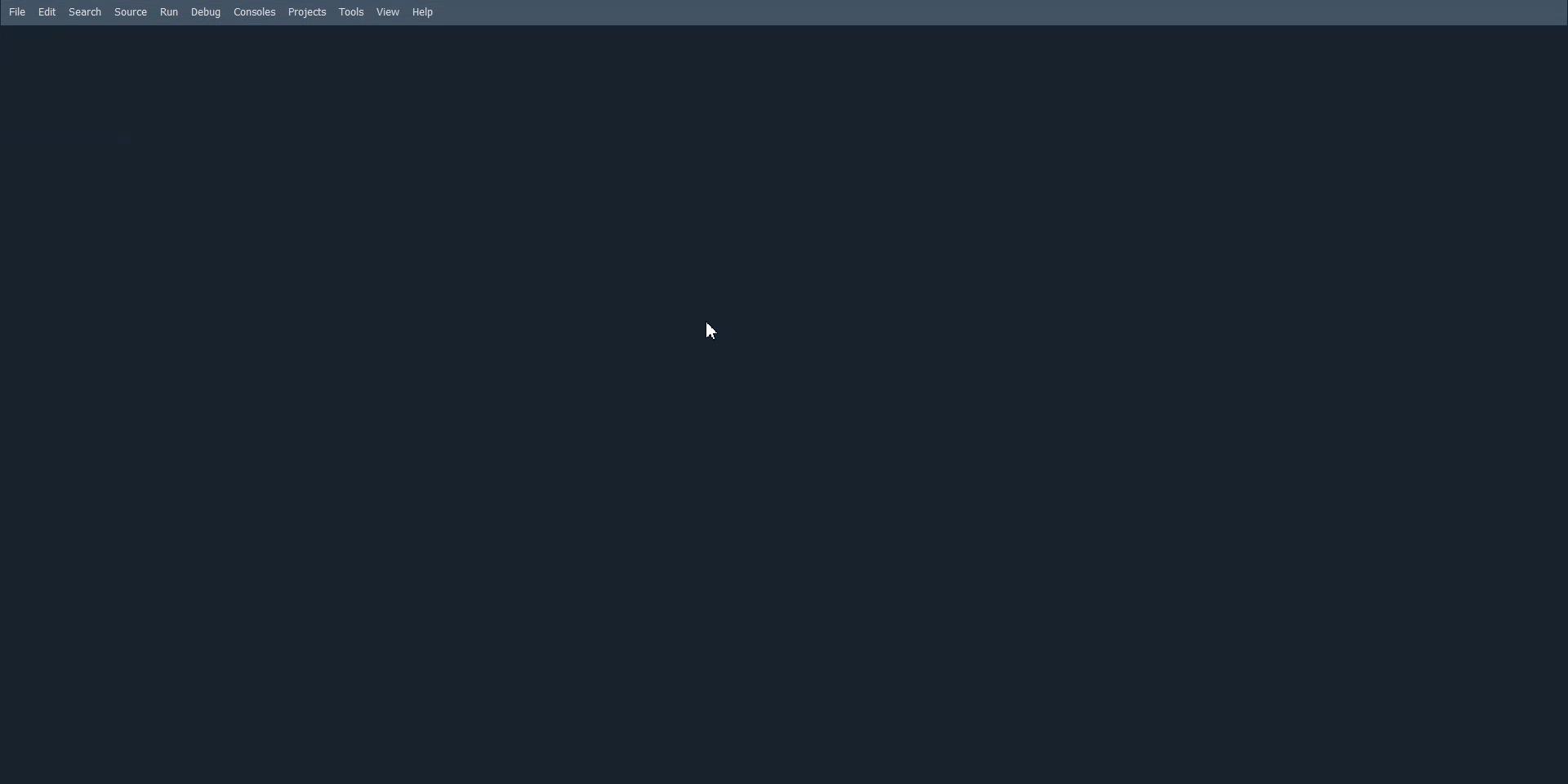  Describe the element at coordinates (17, 11) in the screenshot. I see `File` at that location.